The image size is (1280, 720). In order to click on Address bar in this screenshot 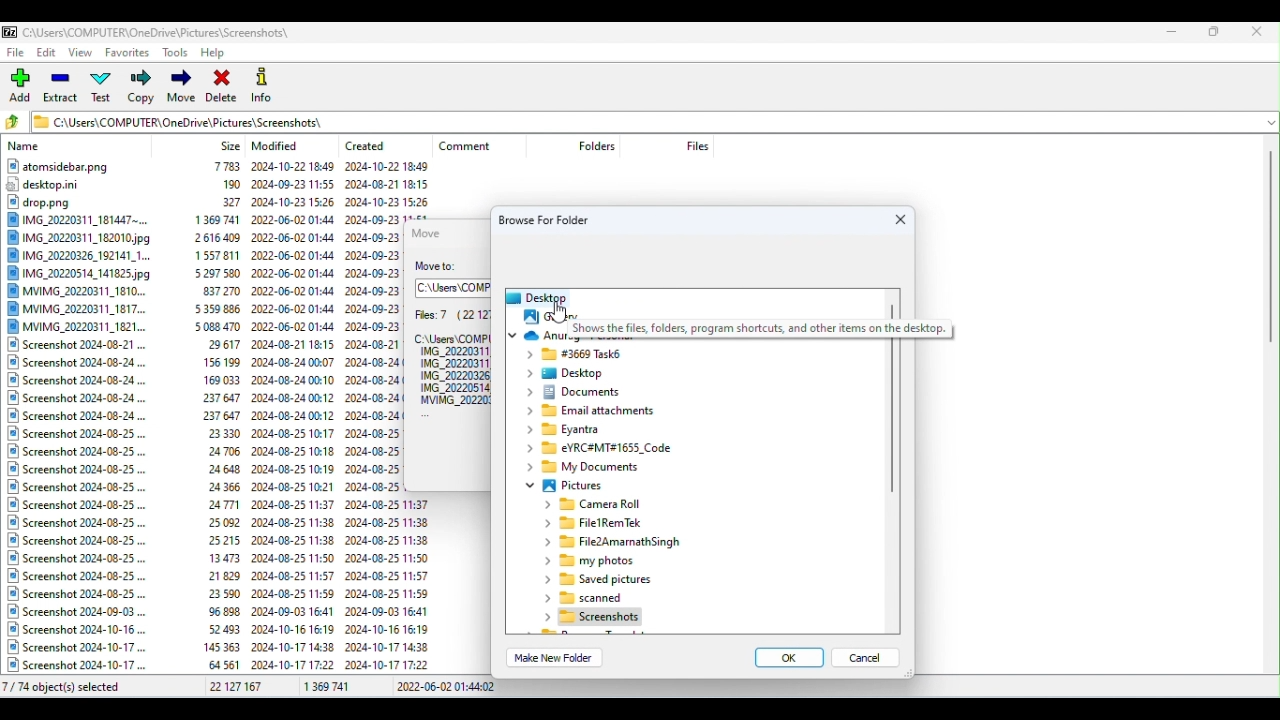, I will do `click(454, 288)`.